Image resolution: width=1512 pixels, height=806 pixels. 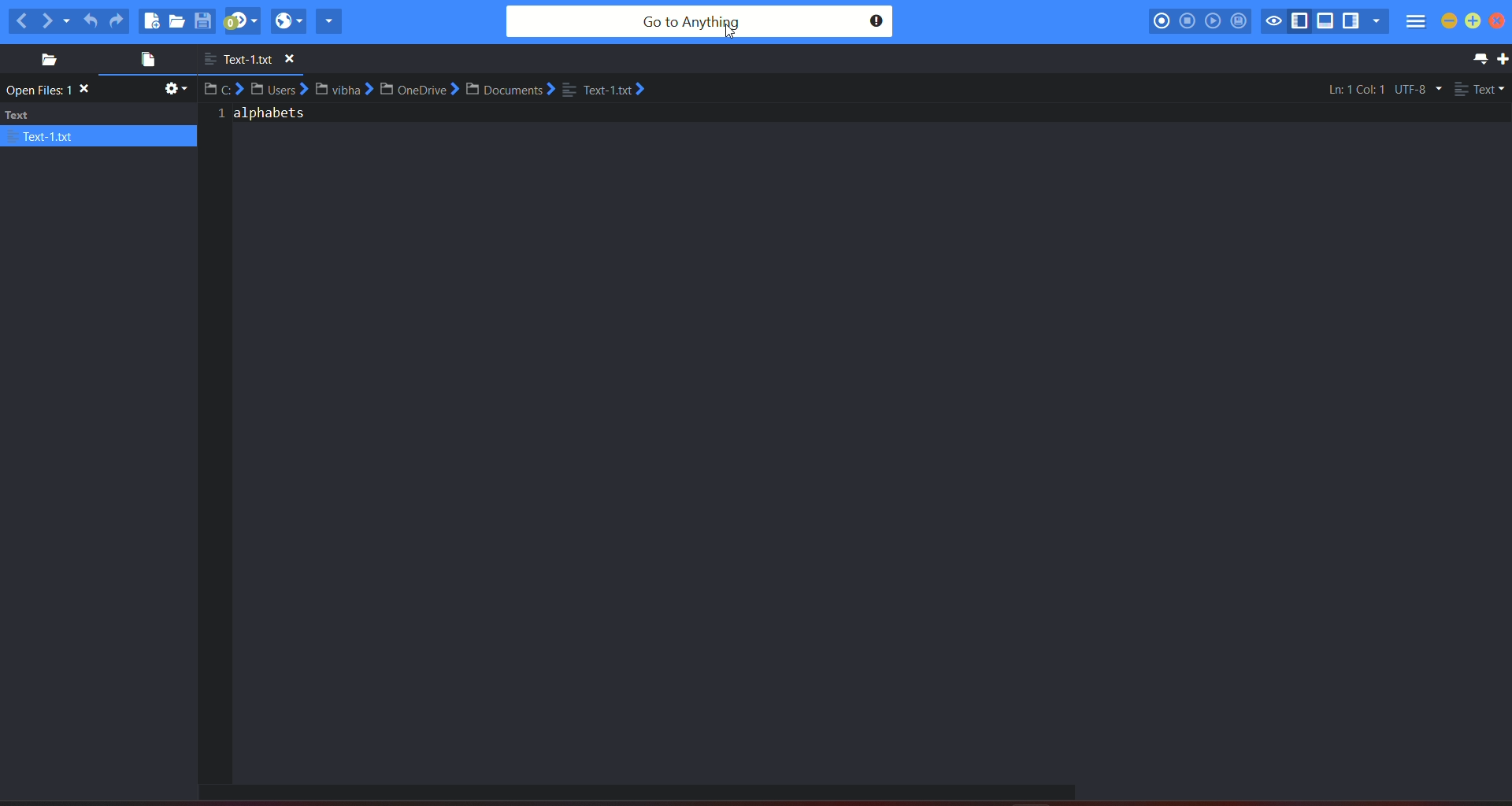 I want to click on file path, so click(x=431, y=90).